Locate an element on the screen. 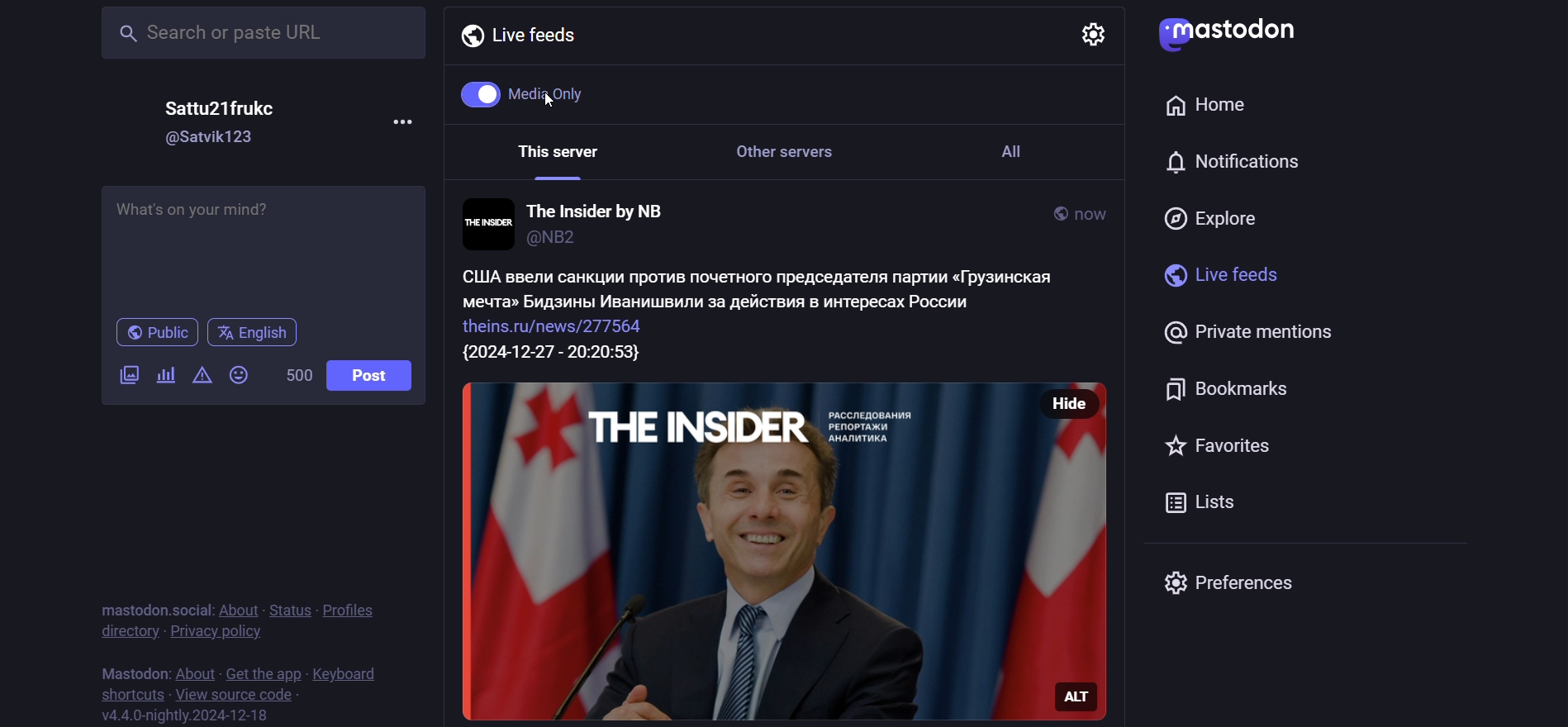  directory is located at coordinates (122, 633).